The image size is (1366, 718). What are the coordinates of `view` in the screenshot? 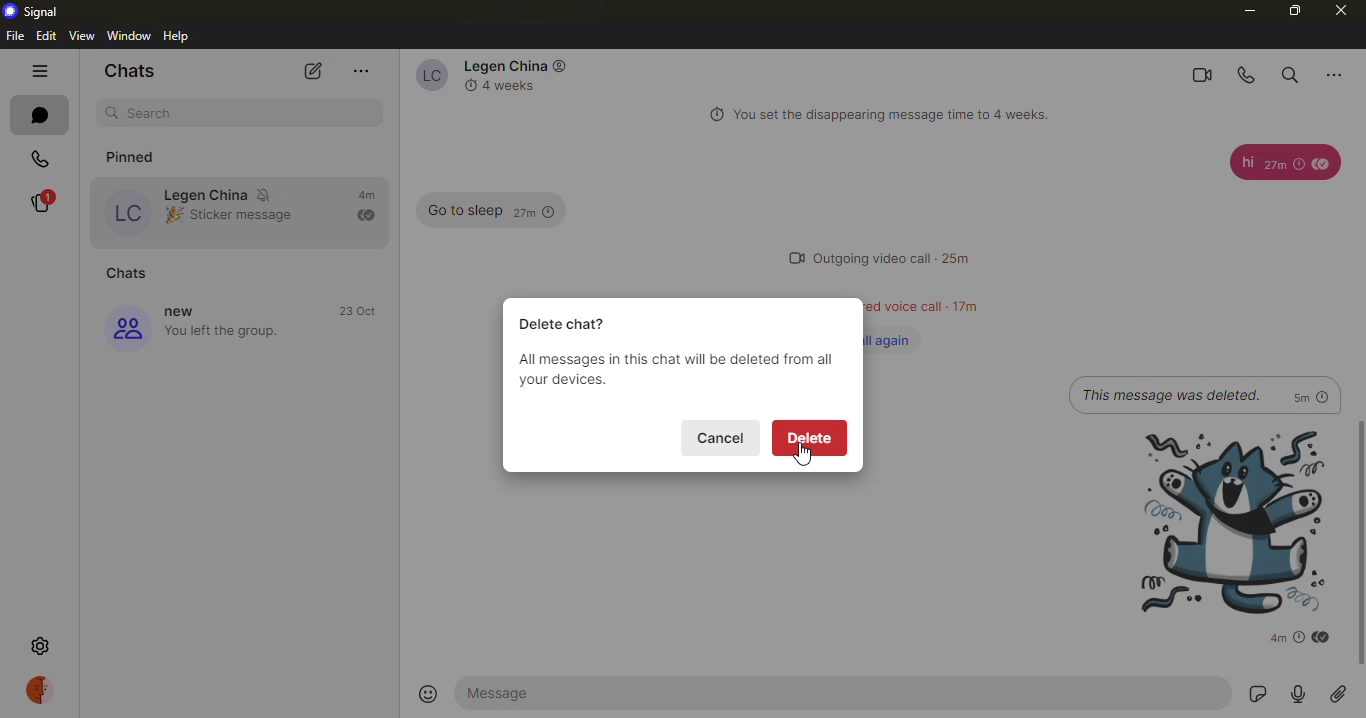 It's located at (82, 35).